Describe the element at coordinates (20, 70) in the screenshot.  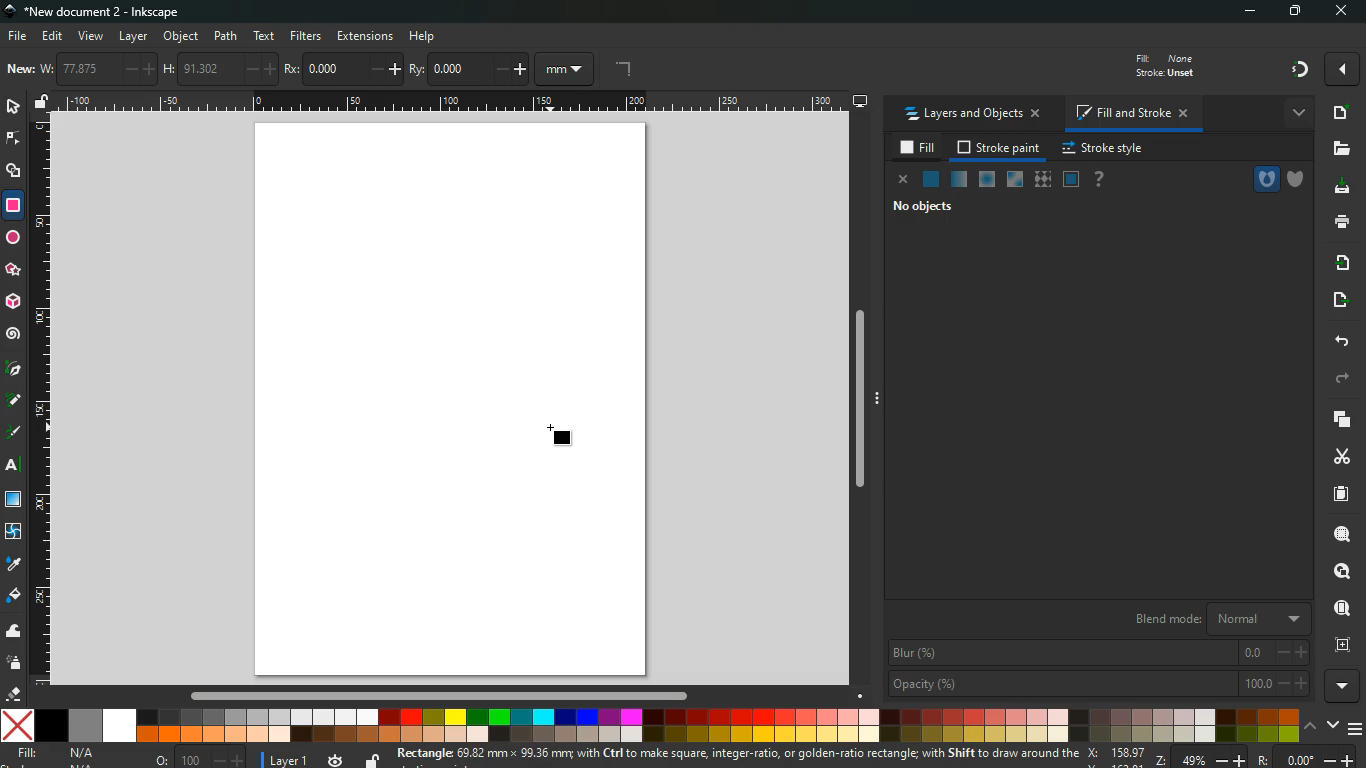
I see `new` at that location.